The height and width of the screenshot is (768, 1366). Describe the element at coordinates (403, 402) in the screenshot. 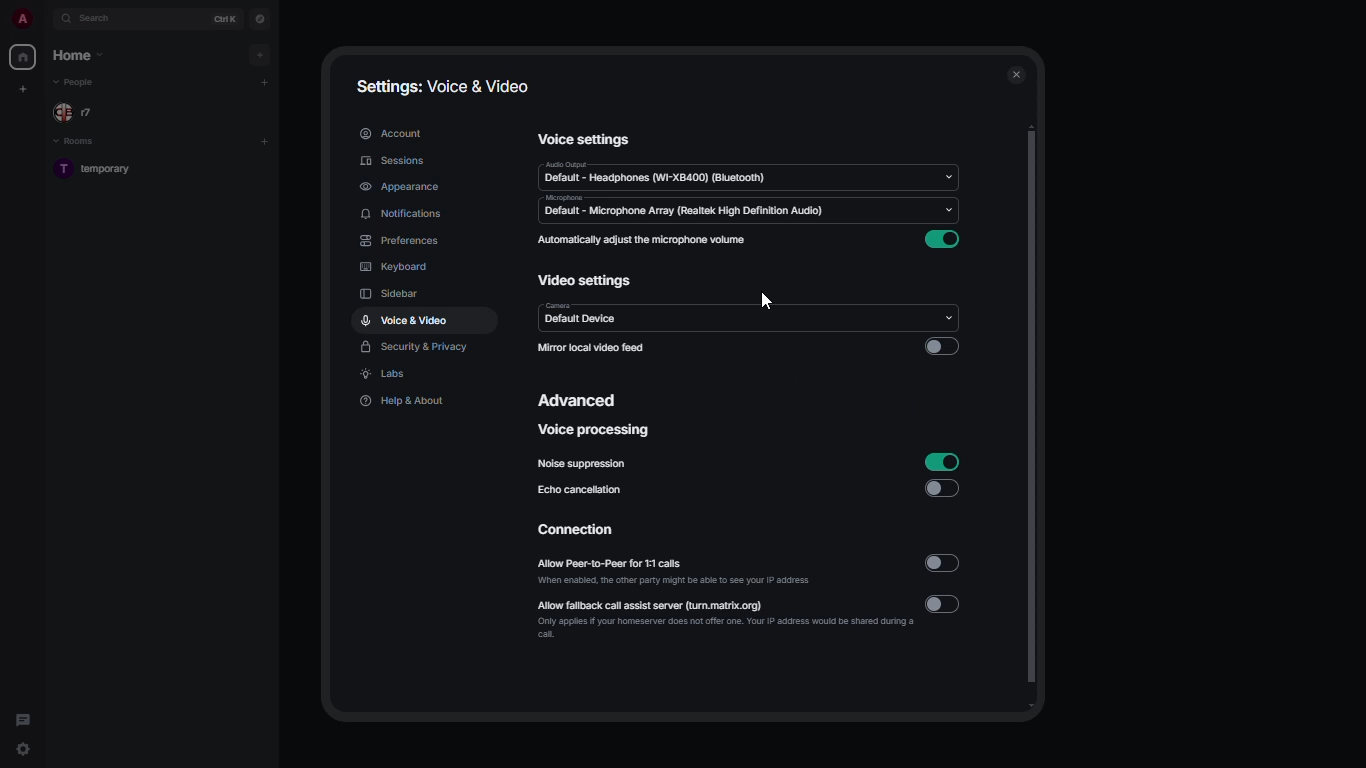

I see `help & about` at that location.